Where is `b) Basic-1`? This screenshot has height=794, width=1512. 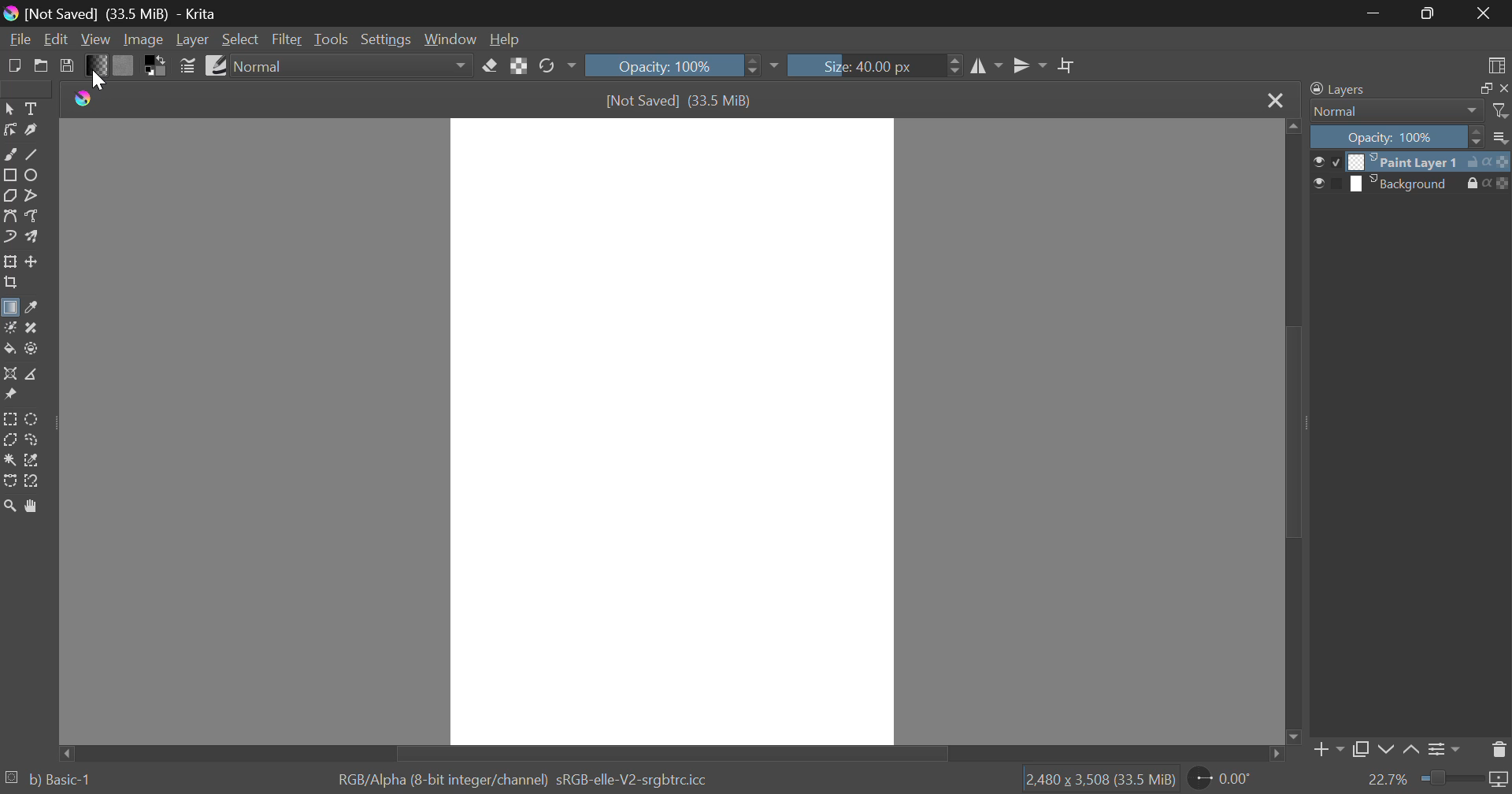 b) Basic-1 is located at coordinates (57, 780).